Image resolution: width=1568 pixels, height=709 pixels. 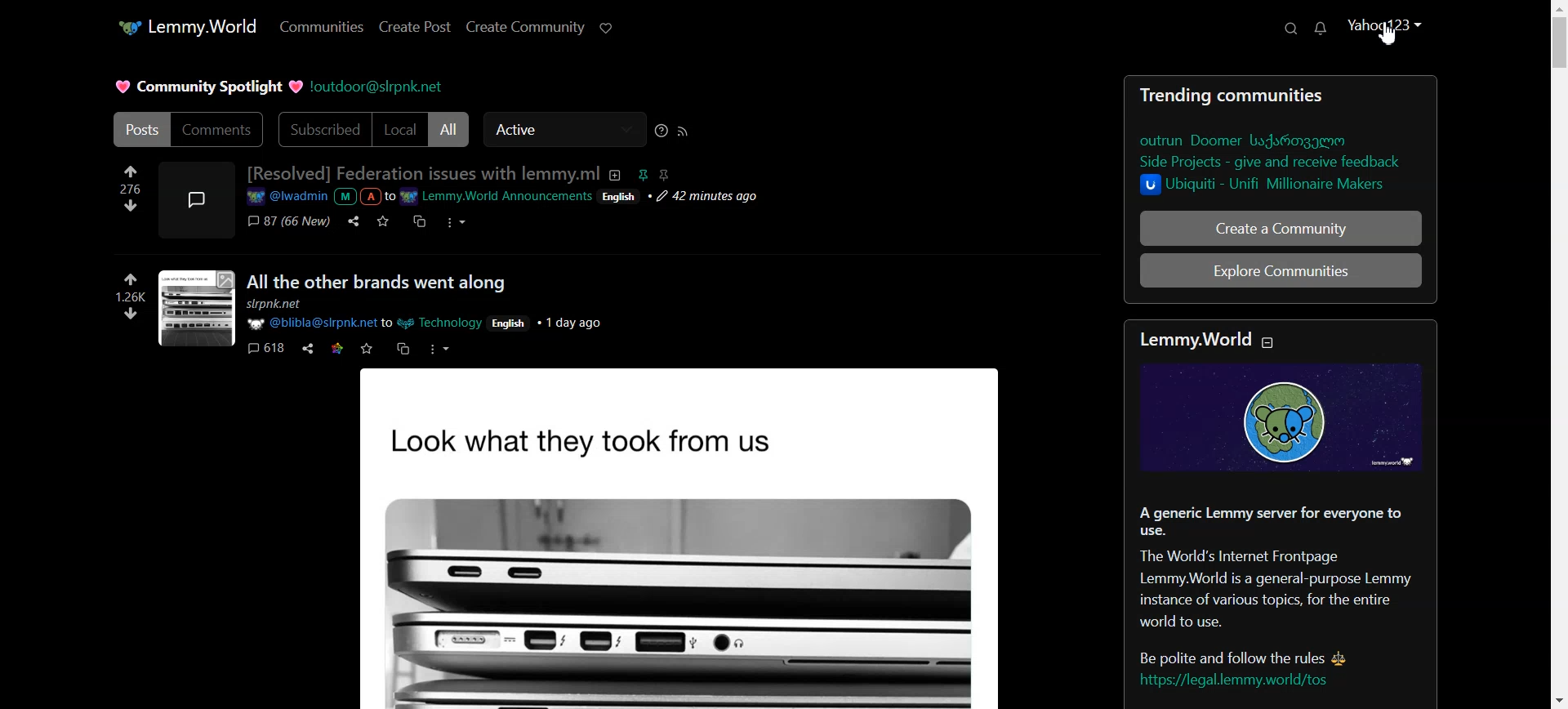 I want to click on lemmy.world, so click(x=186, y=27).